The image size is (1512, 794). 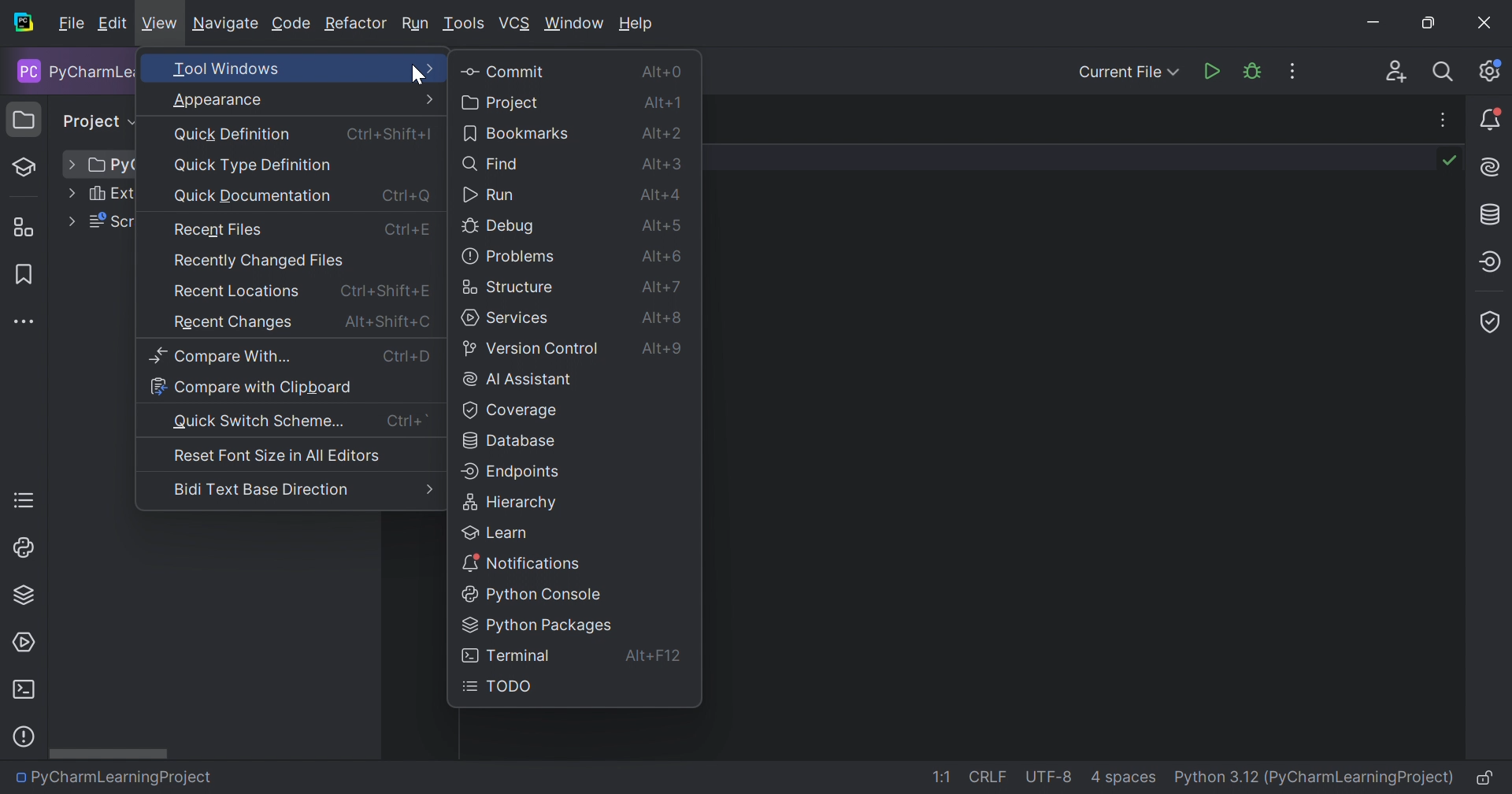 I want to click on No problems found, so click(x=1451, y=161).